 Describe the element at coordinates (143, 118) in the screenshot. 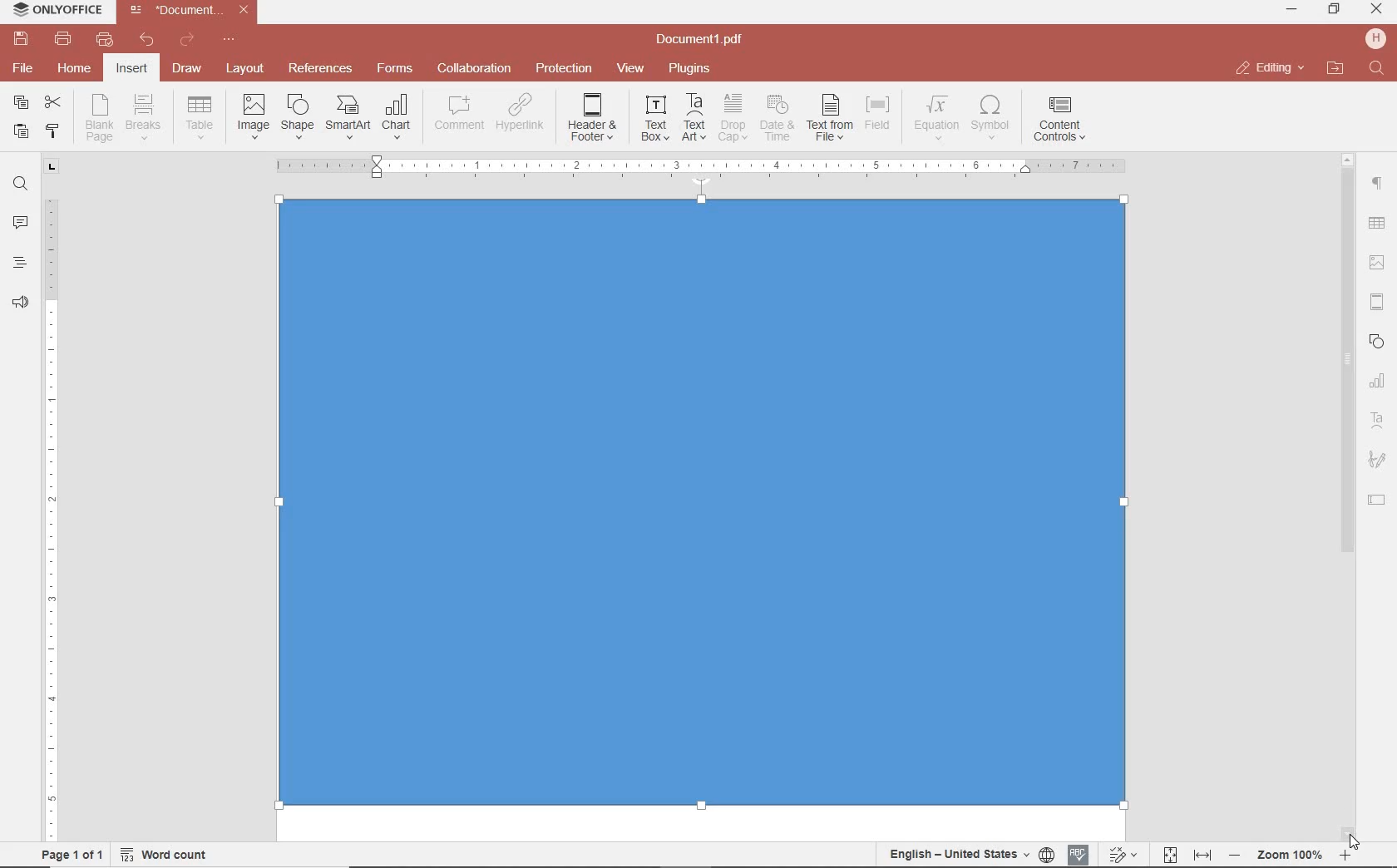

I see `INSERT PAGE OR SECTION BREAK` at that location.